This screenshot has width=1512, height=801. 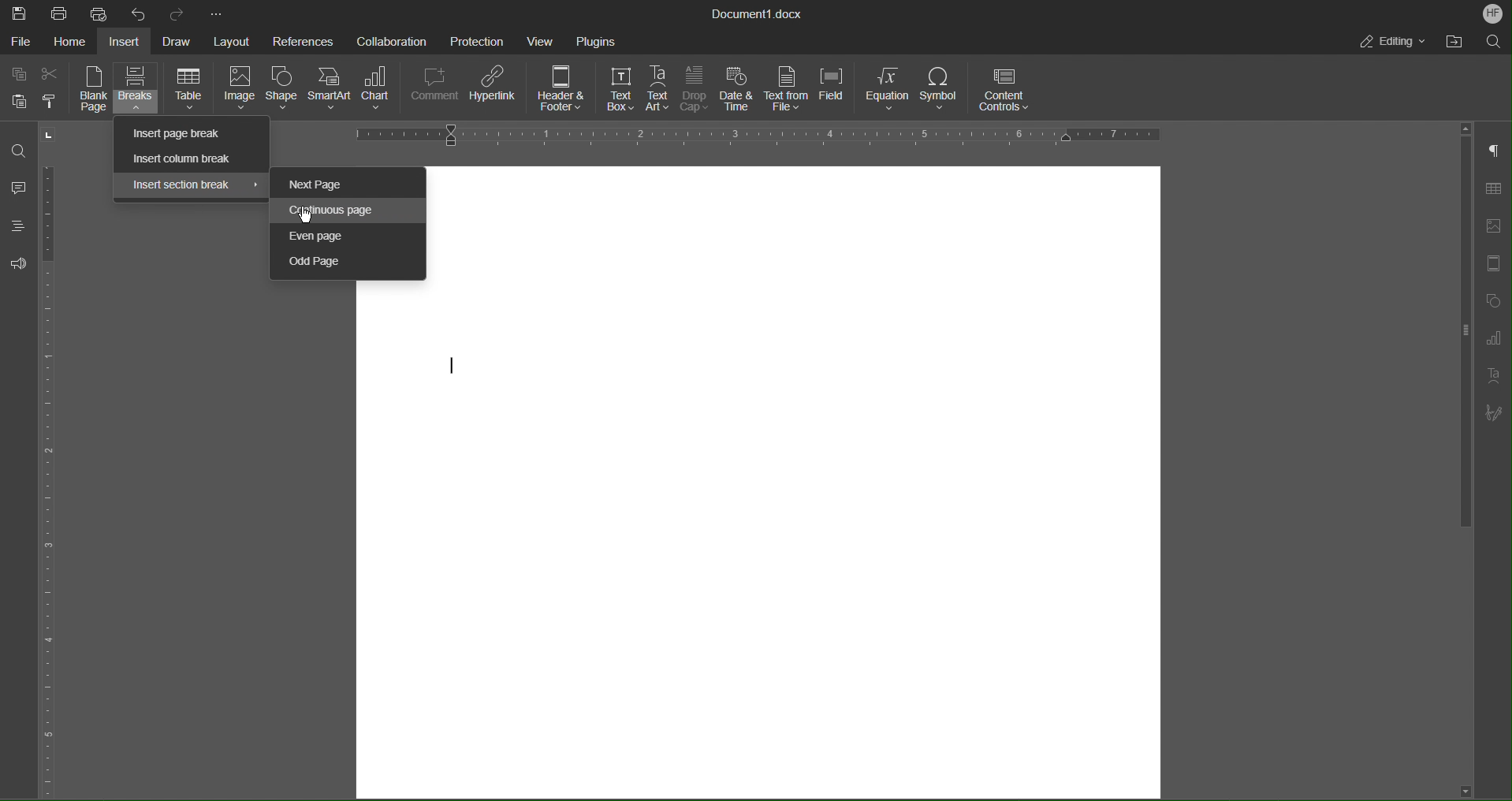 What do you see at coordinates (187, 90) in the screenshot?
I see `Table` at bounding box center [187, 90].